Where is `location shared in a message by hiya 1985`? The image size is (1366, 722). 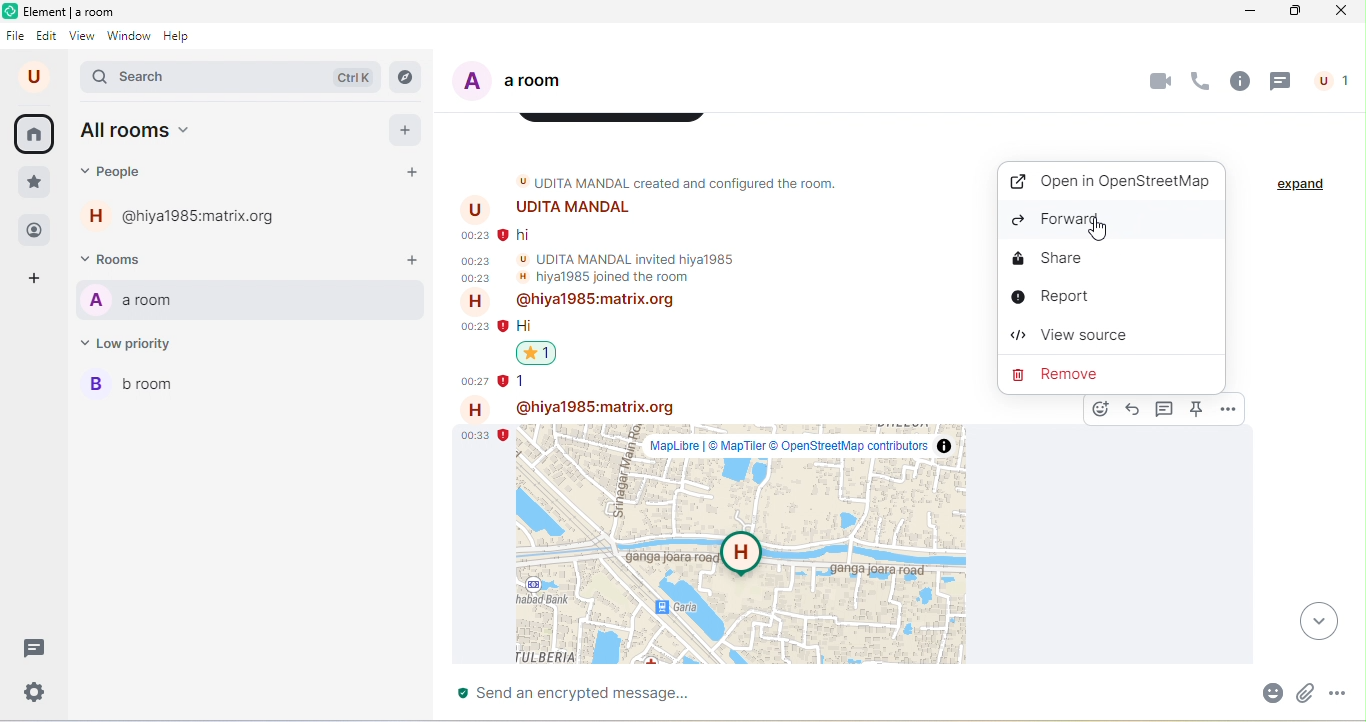
location shared in a message by hiya 1985 is located at coordinates (748, 535).